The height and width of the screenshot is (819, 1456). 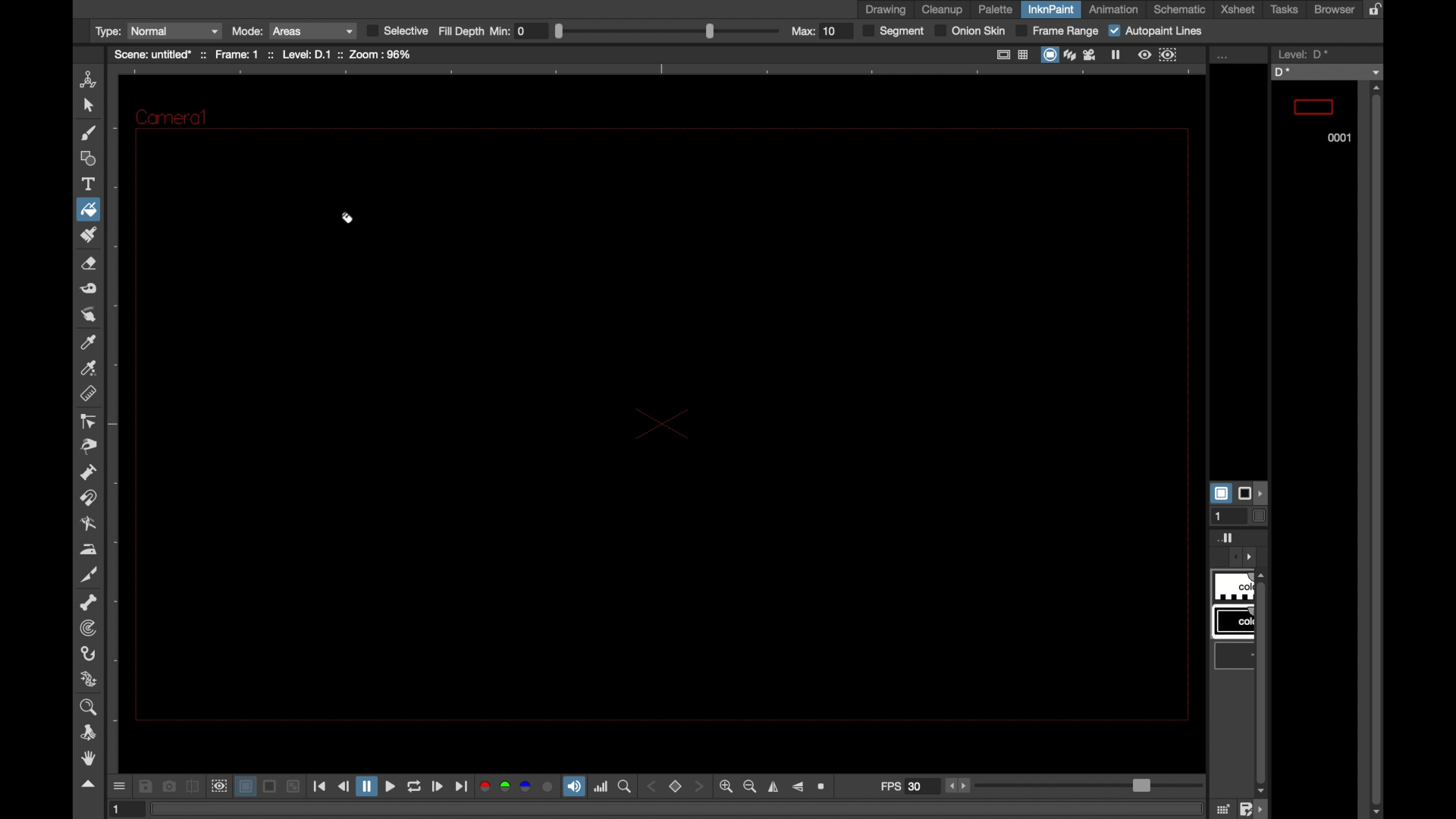 I want to click on type tool, so click(x=89, y=184).